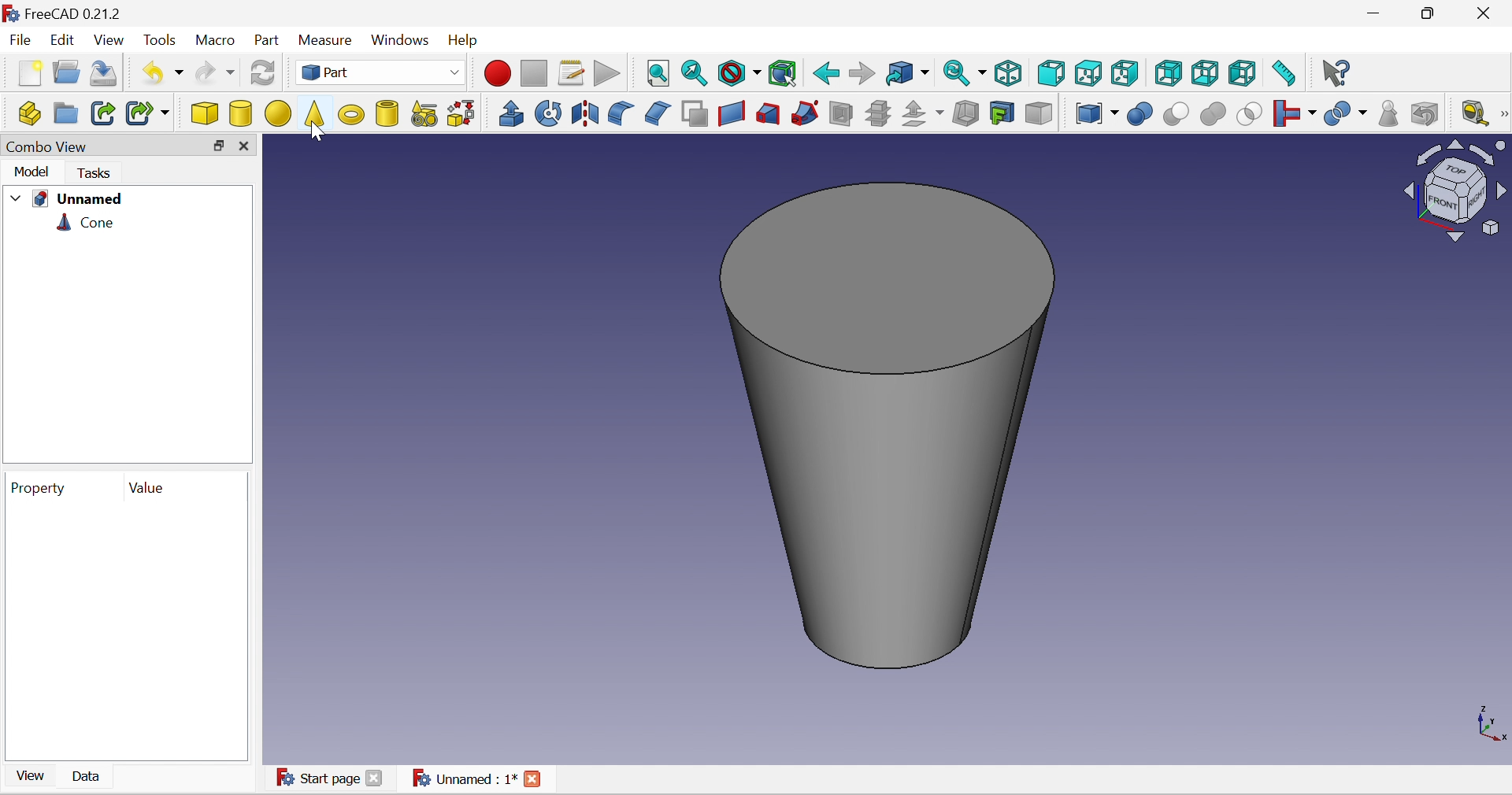 Image resolution: width=1512 pixels, height=795 pixels. I want to click on cursor, so click(319, 138).